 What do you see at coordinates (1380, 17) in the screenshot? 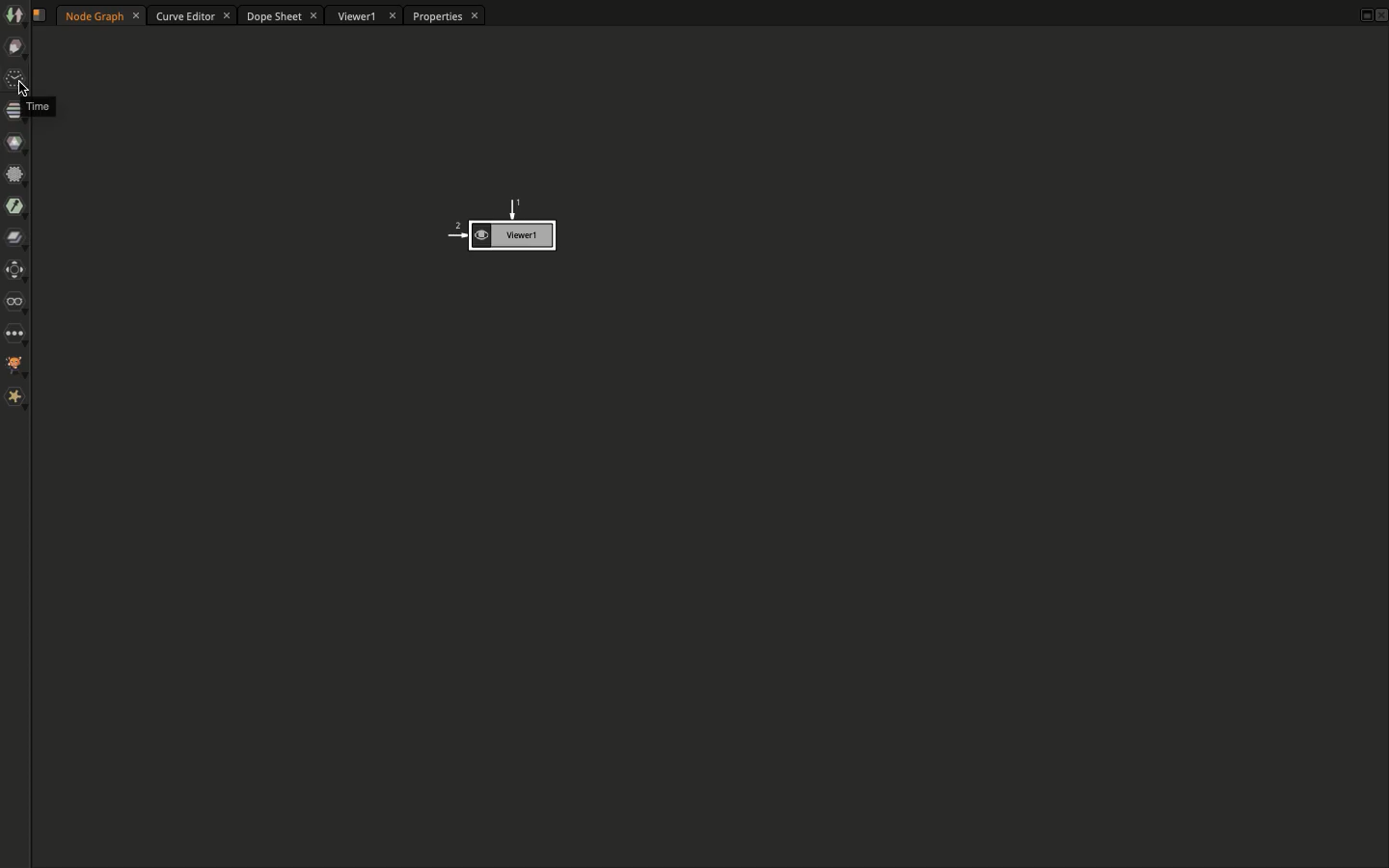
I see `Close` at bounding box center [1380, 17].